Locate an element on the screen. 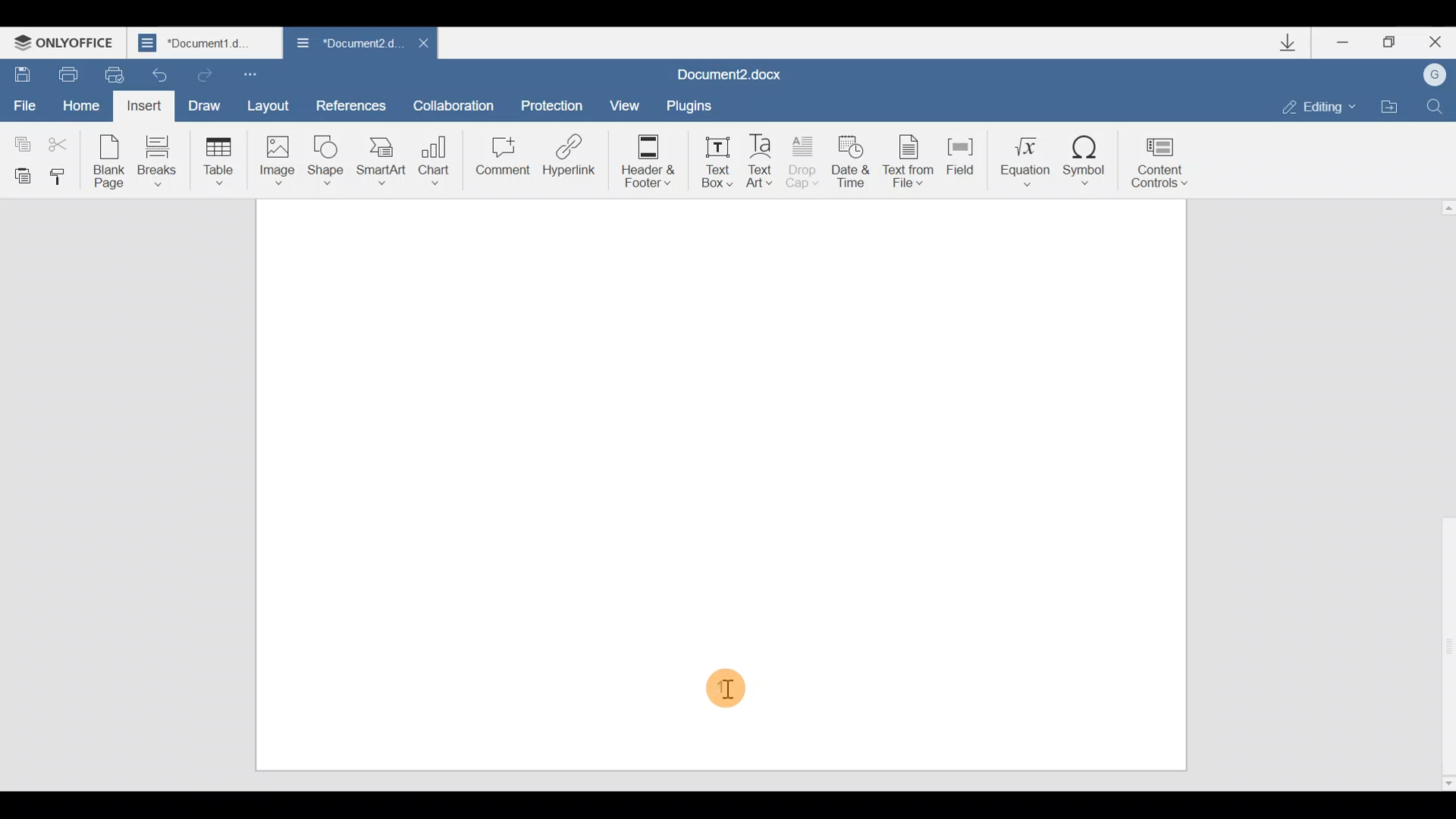 The image size is (1456, 819). Comment is located at coordinates (500, 159).